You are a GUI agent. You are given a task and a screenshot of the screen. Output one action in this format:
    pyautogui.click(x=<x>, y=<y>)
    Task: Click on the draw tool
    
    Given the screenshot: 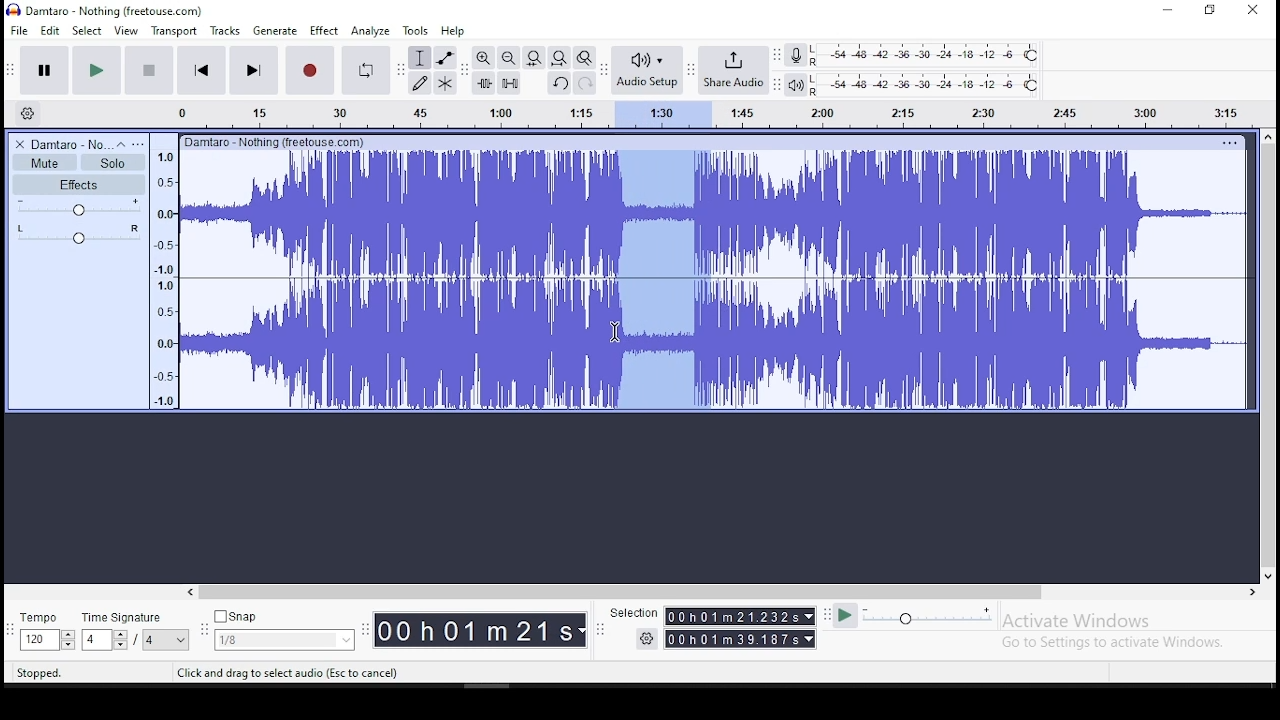 What is the action you would take?
    pyautogui.click(x=420, y=83)
    